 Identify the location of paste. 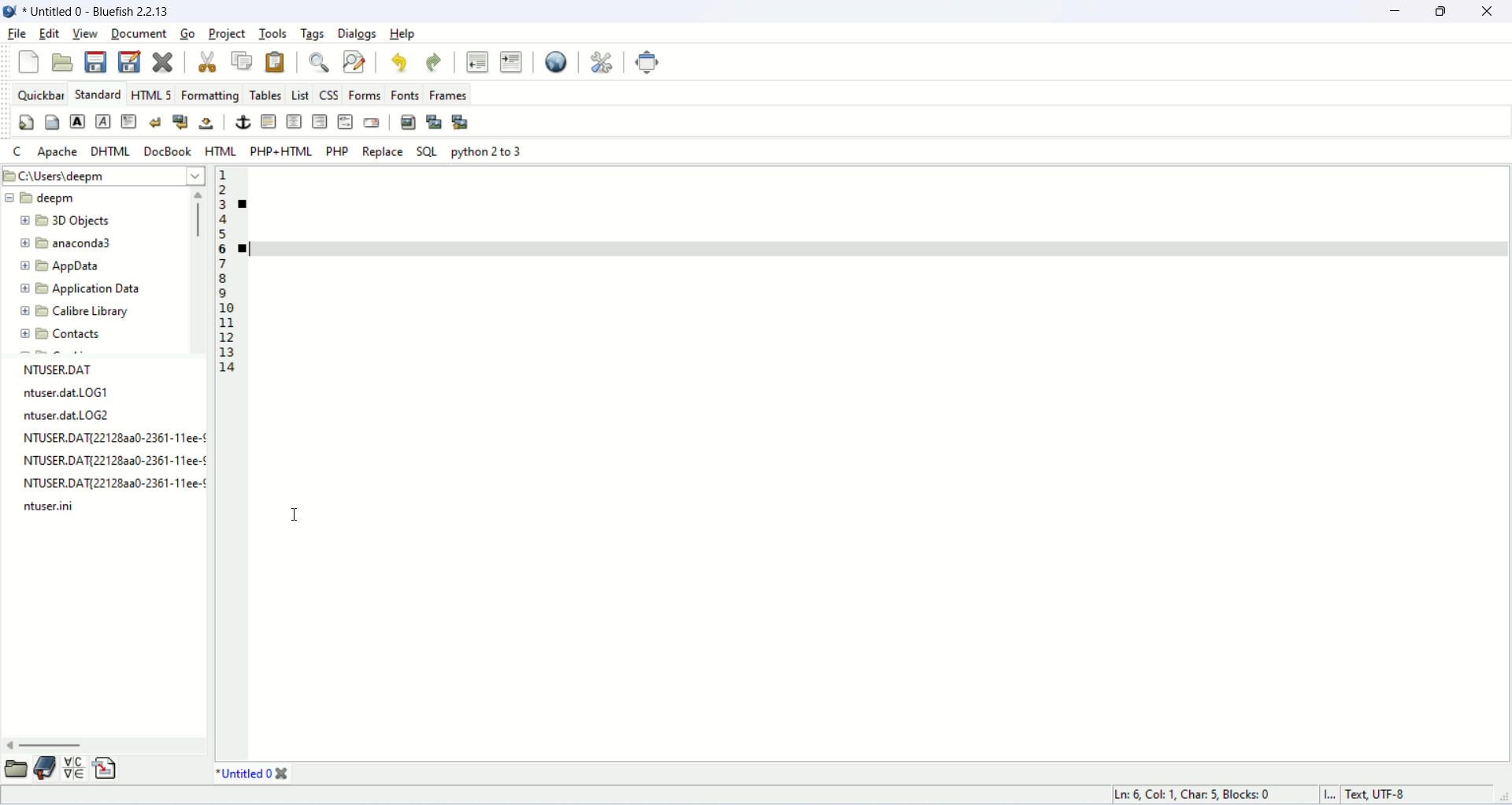
(278, 61).